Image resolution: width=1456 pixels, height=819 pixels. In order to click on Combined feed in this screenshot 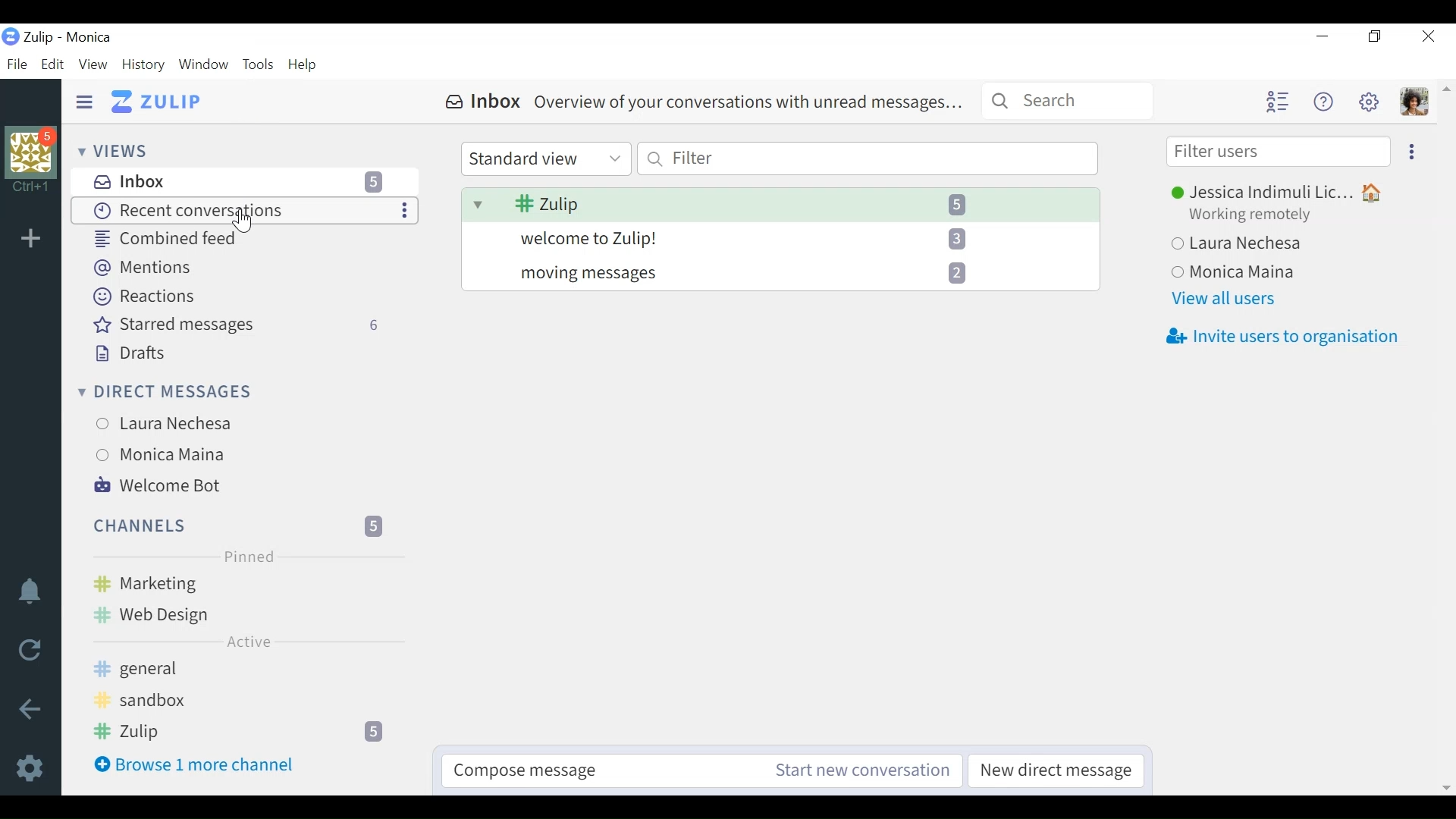, I will do `click(206, 240)`.